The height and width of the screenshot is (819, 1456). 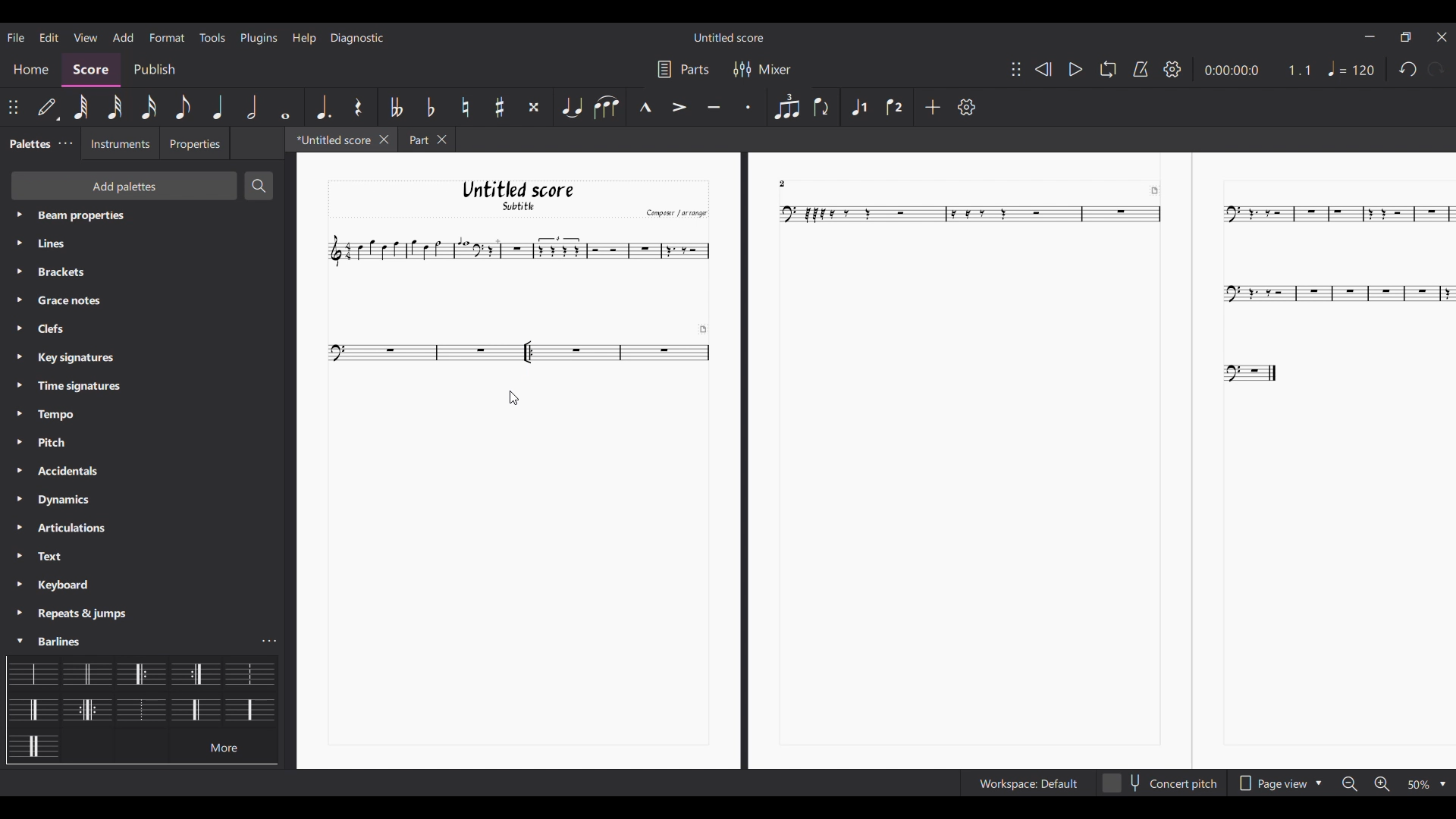 What do you see at coordinates (1351, 68) in the screenshot?
I see `Tempo` at bounding box center [1351, 68].